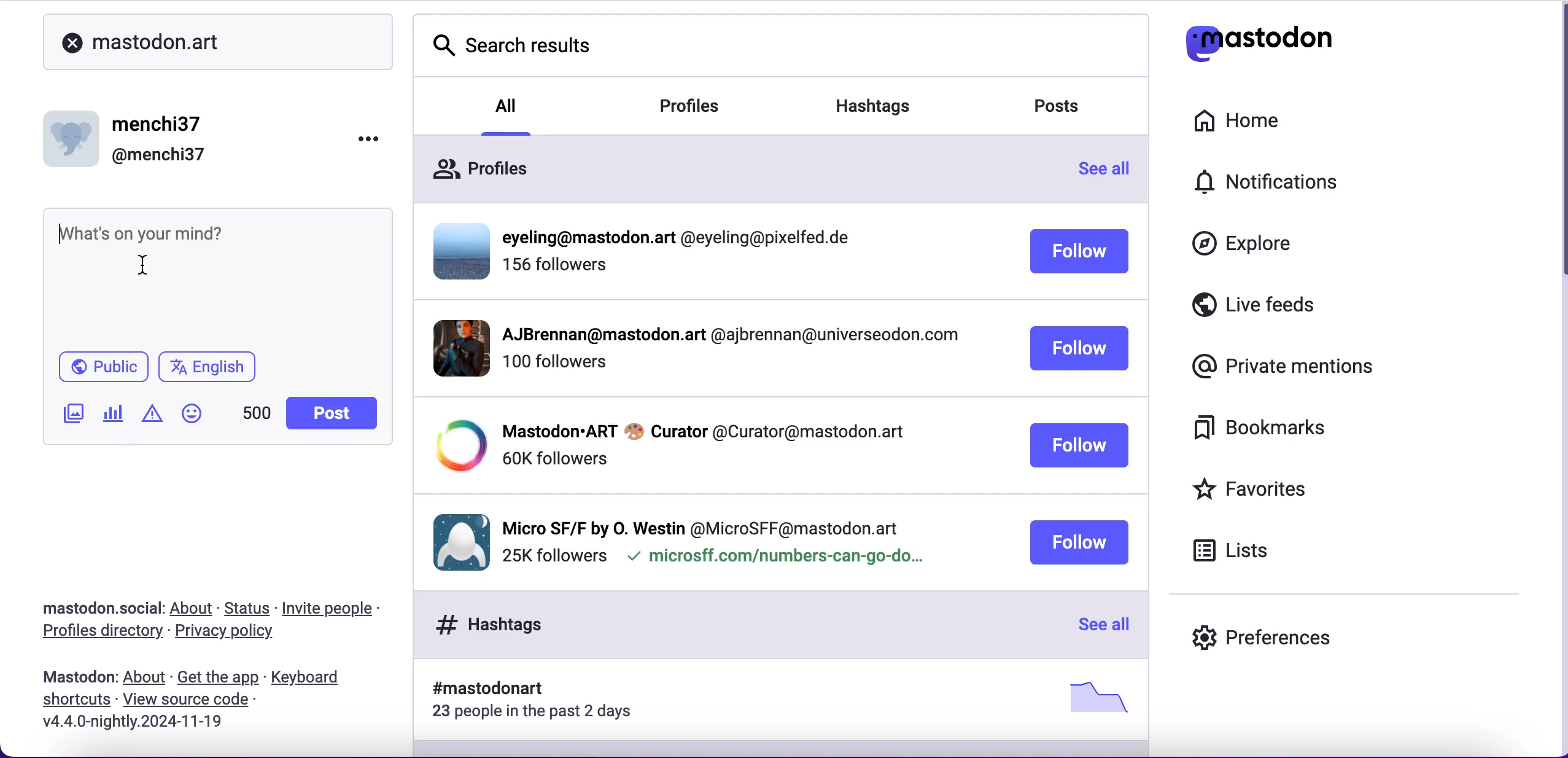 This screenshot has width=1568, height=758. What do you see at coordinates (194, 609) in the screenshot?
I see `about` at bounding box center [194, 609].